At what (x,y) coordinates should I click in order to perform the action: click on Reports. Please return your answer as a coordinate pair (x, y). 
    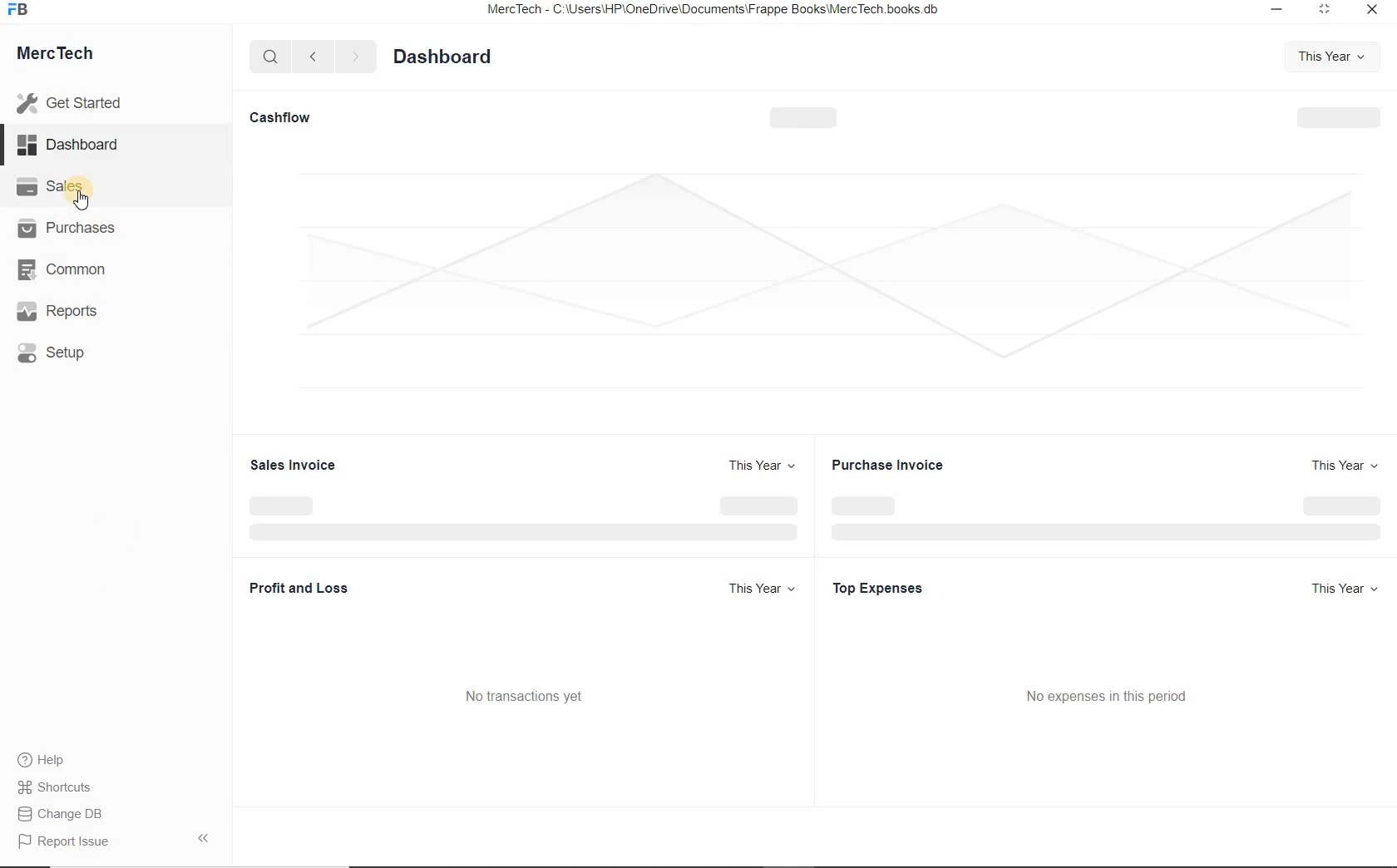
    Looking at the image, I should click on (62, 311).